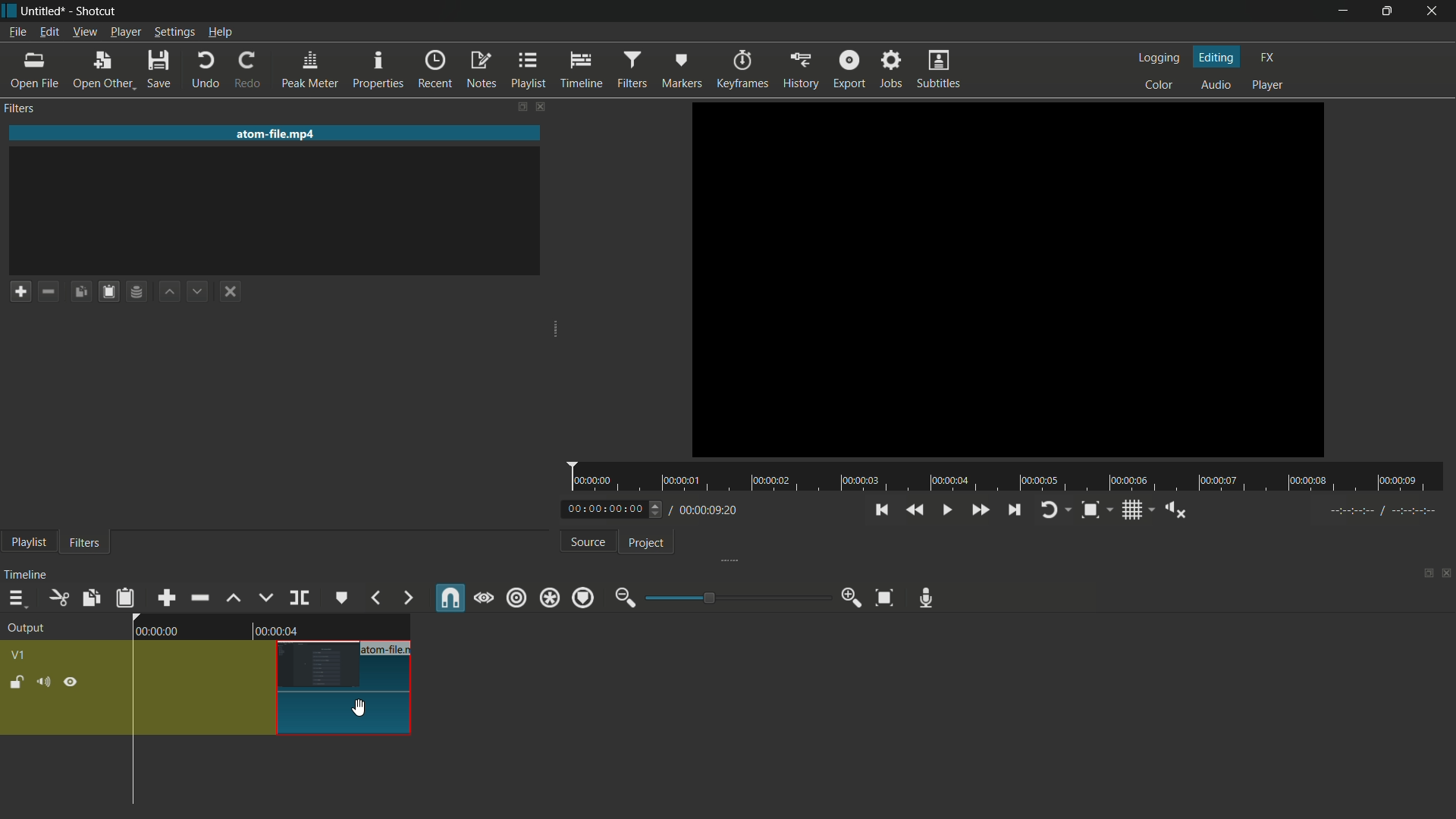  I want to click on remove the filter, so click(48, 293).